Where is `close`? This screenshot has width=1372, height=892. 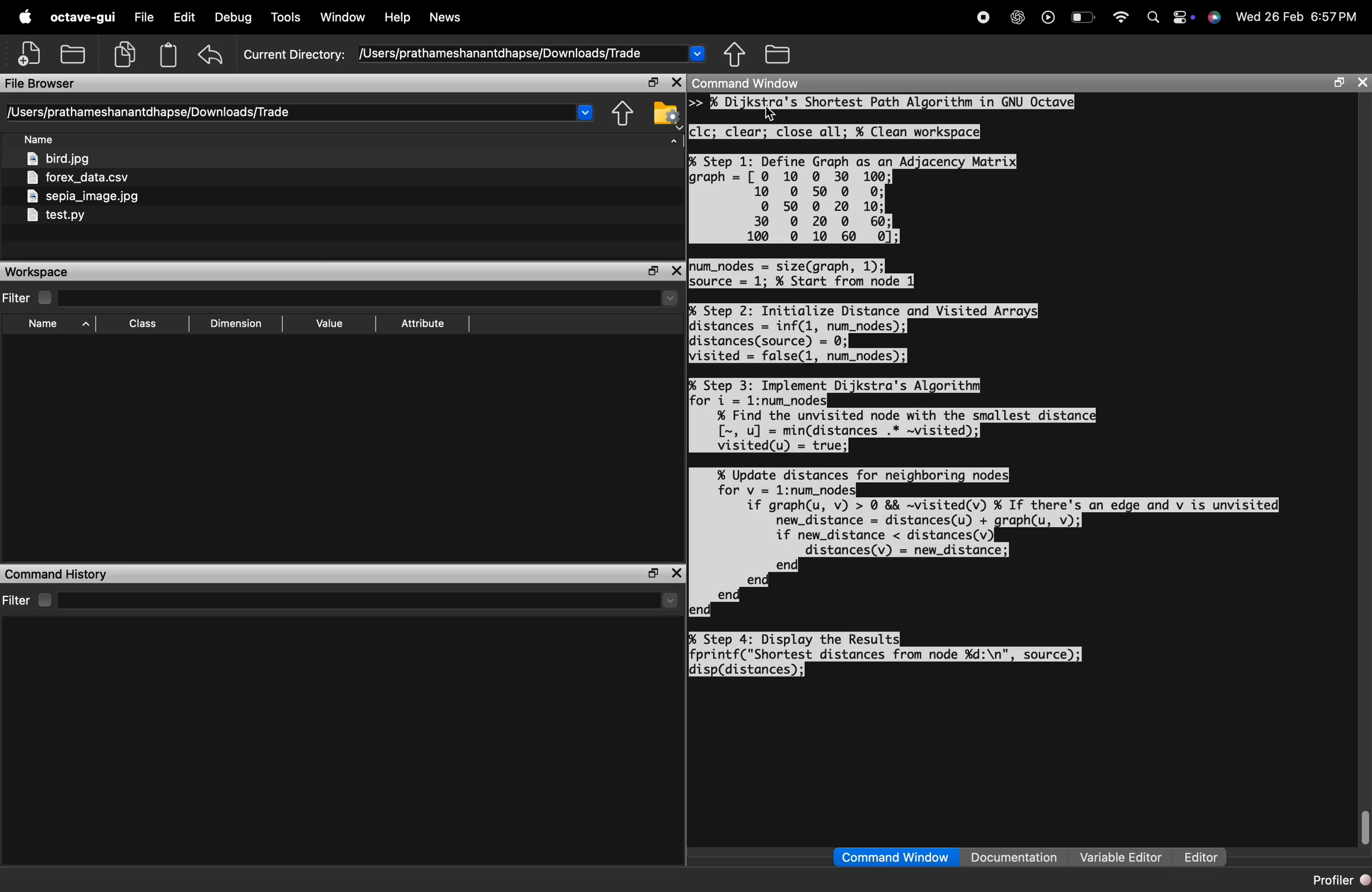 close is located at coordinates (677, 271).